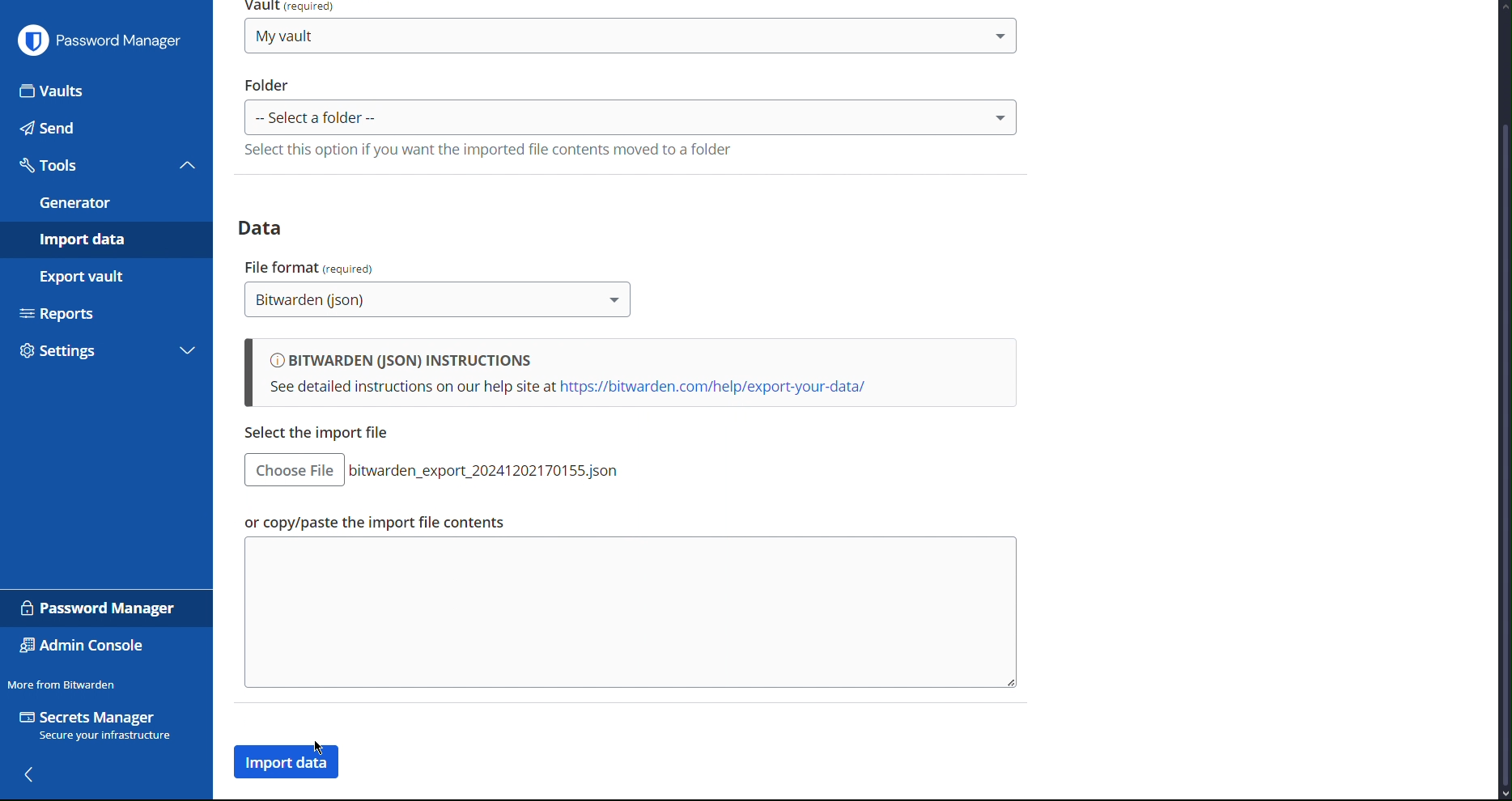  I want to click on Generator, so click(104, 203).